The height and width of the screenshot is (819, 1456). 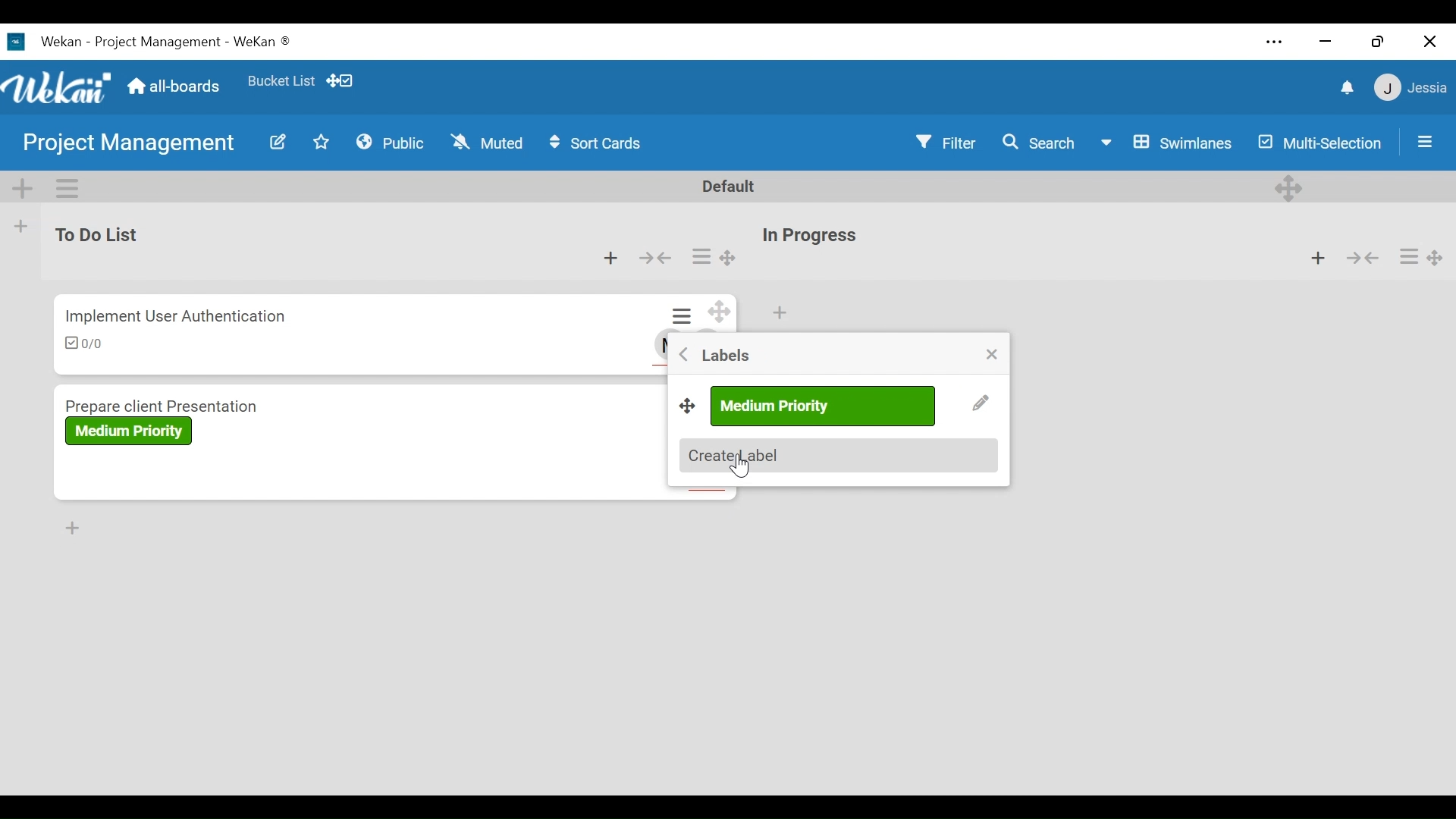 What do you see at coordinates (729, 259) in the screenshot?
I see `Desktop drag handle` at bounding box center [729, 259].